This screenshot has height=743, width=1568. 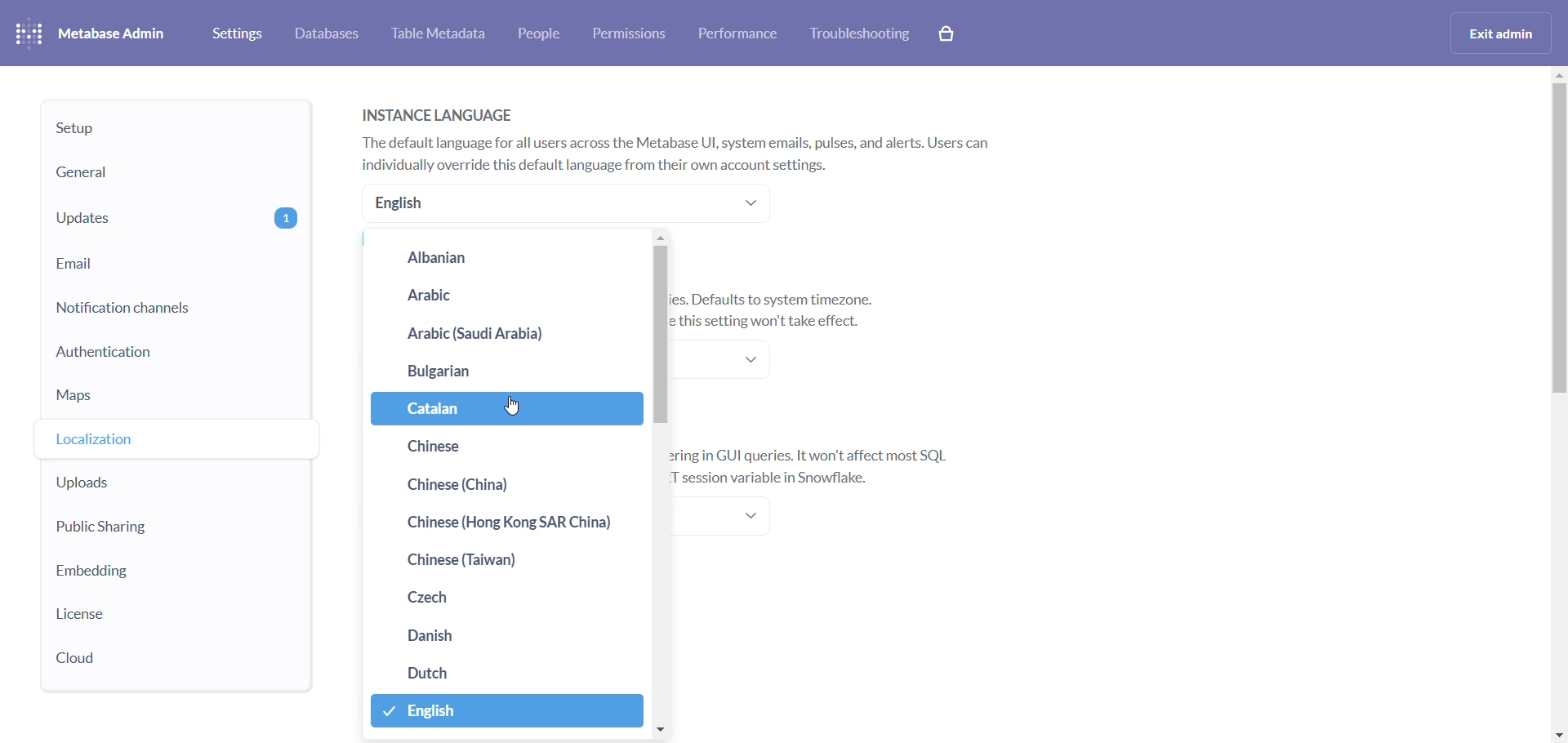 I want to click on scrollbar, so click(x=1558, y=259).